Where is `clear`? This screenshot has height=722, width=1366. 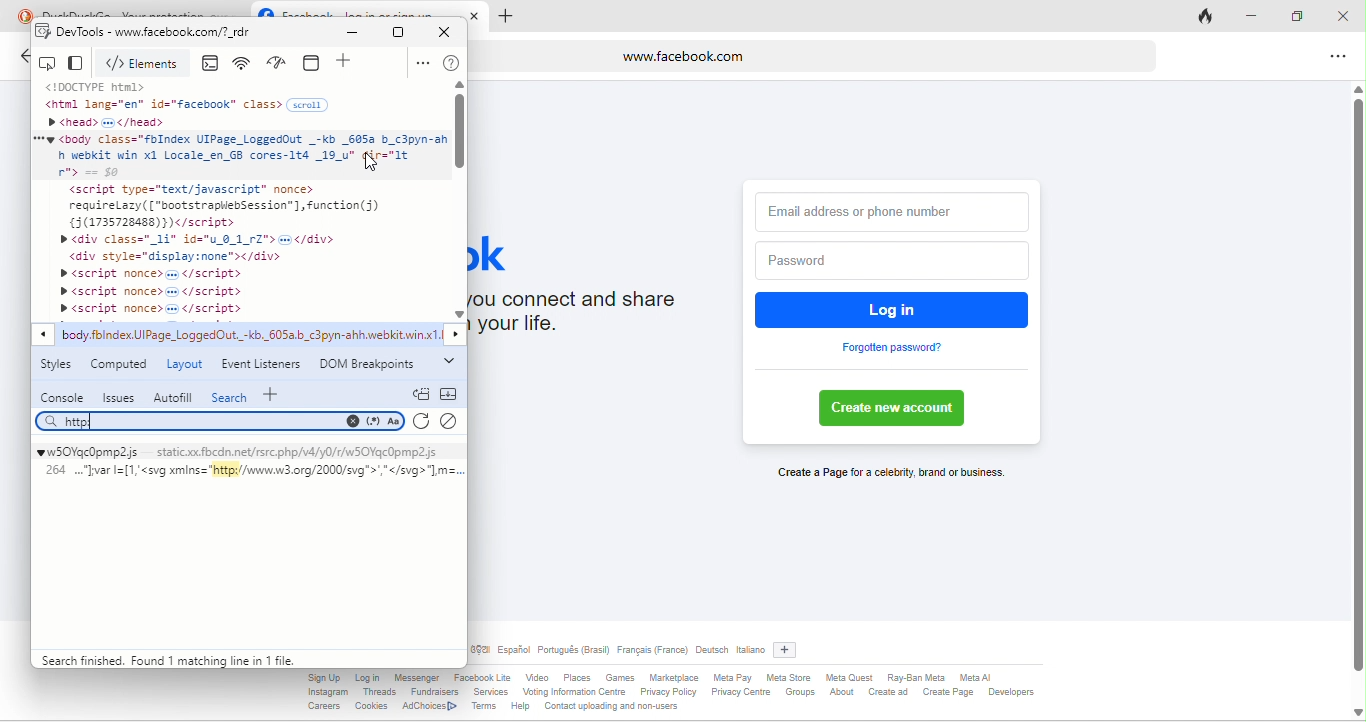 clear is located at coordinates (453, 419).